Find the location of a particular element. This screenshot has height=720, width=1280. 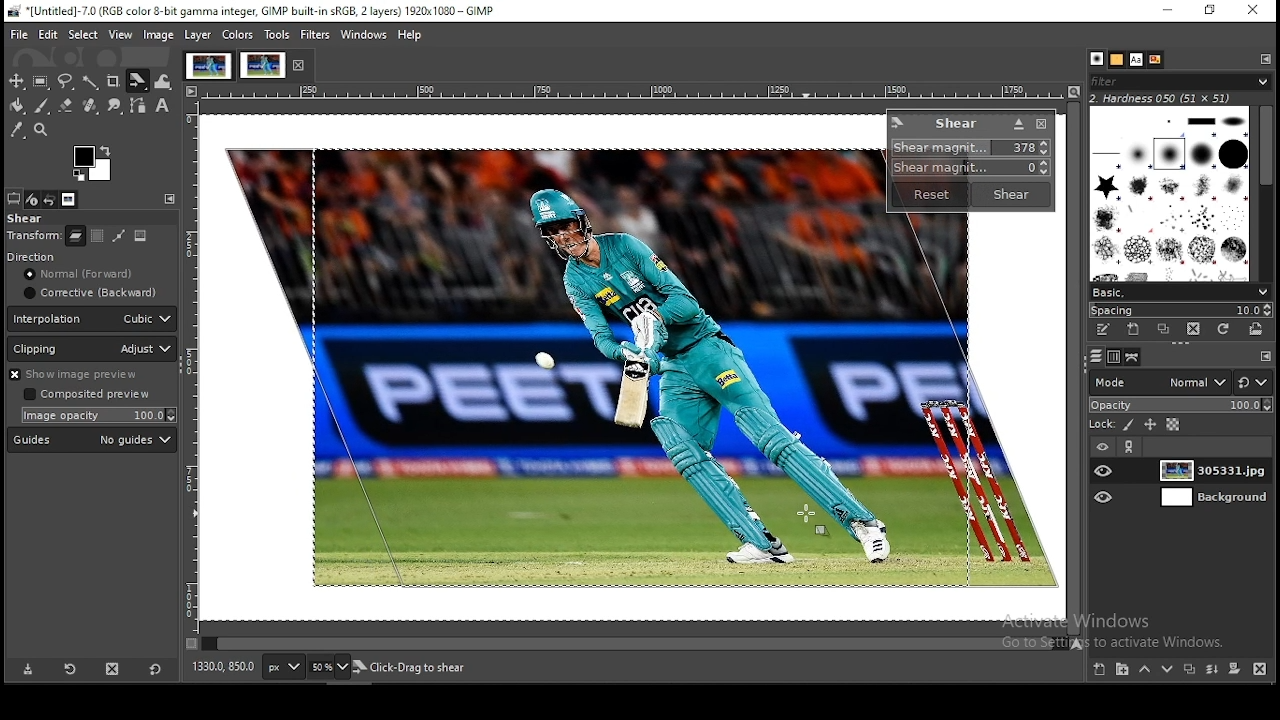

filters is located at coordinates (314, 35).